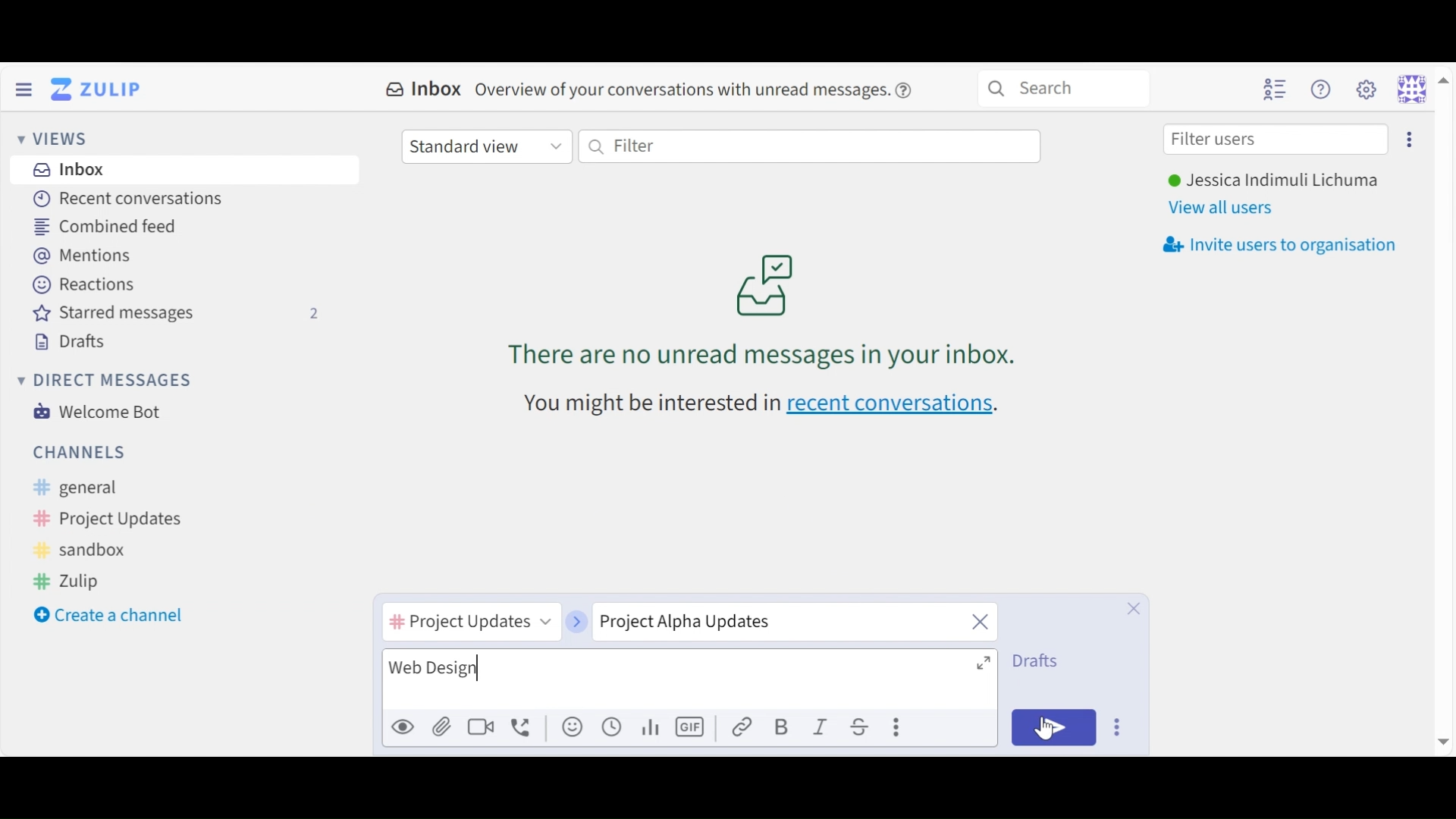 This screenshot has height=819, width=1456. Describe the element at coordinates (99, 89) in the screenshot. I see `Go to Home View` at that location.